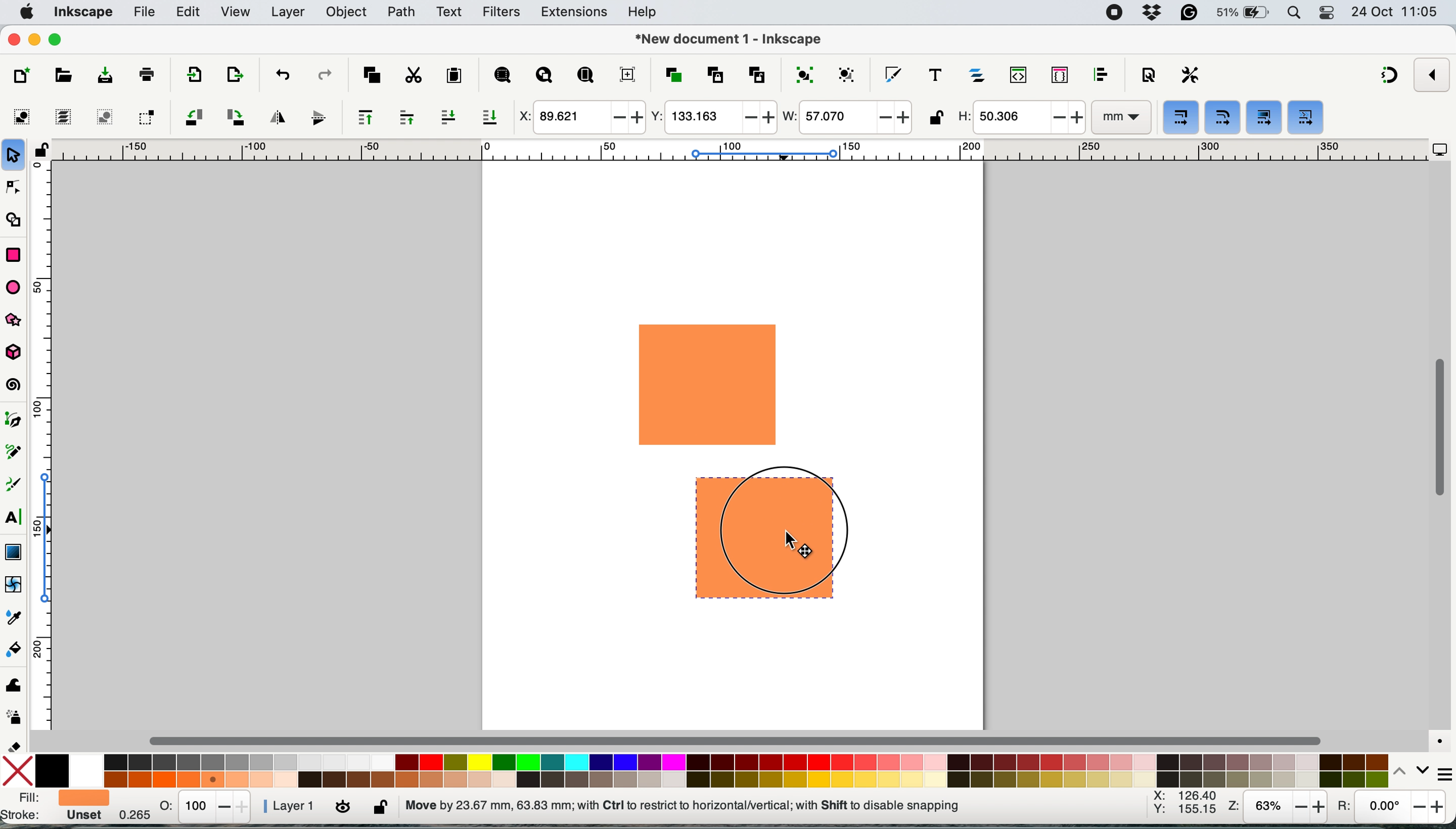 The width and height of the screenshot is (1456, 829). I want to click on 0.265, so click(127, 817).